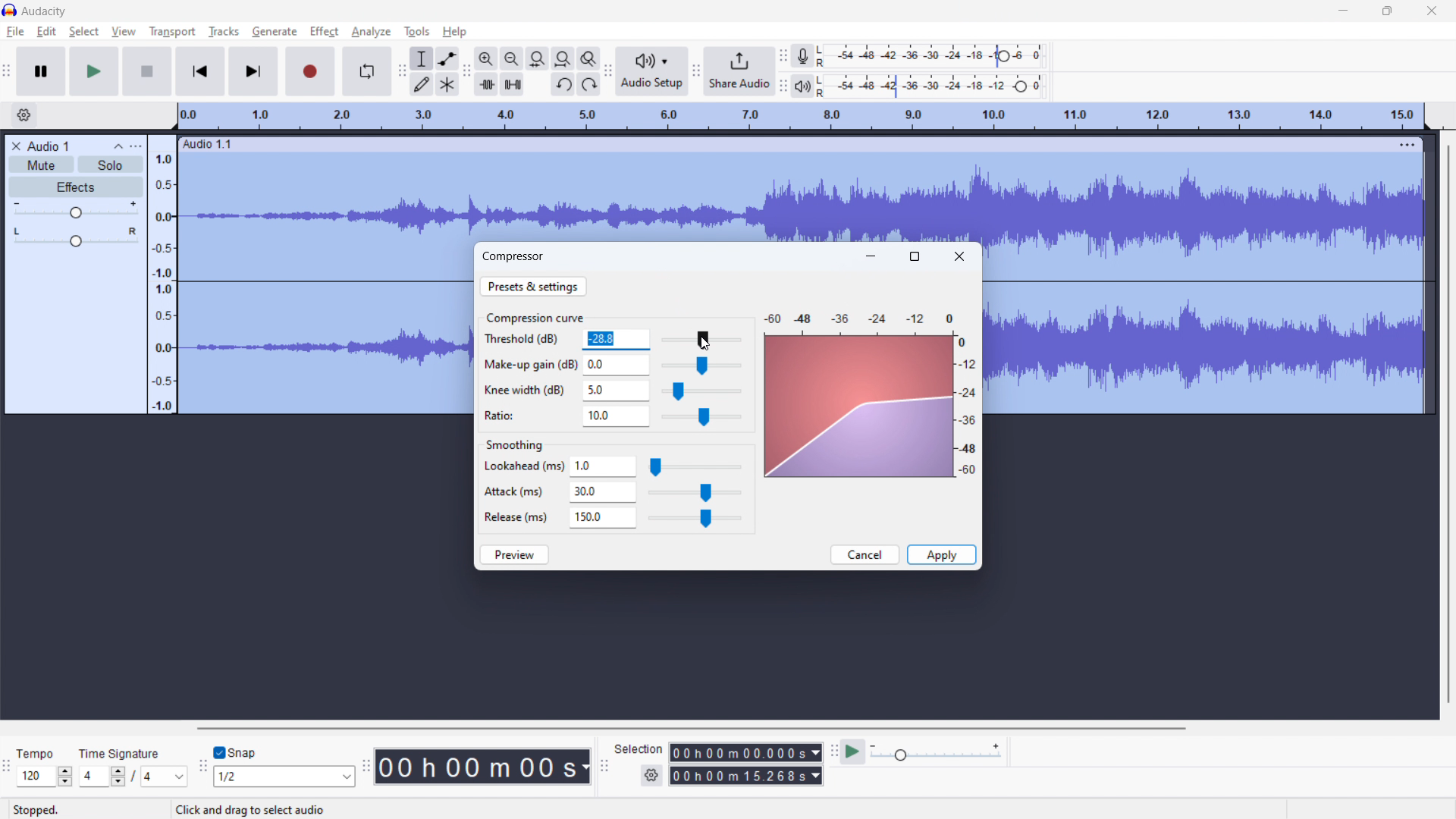 This screenshot has width=1456, height=819. I want to click on trim audio outside selection, so click(487, 84).